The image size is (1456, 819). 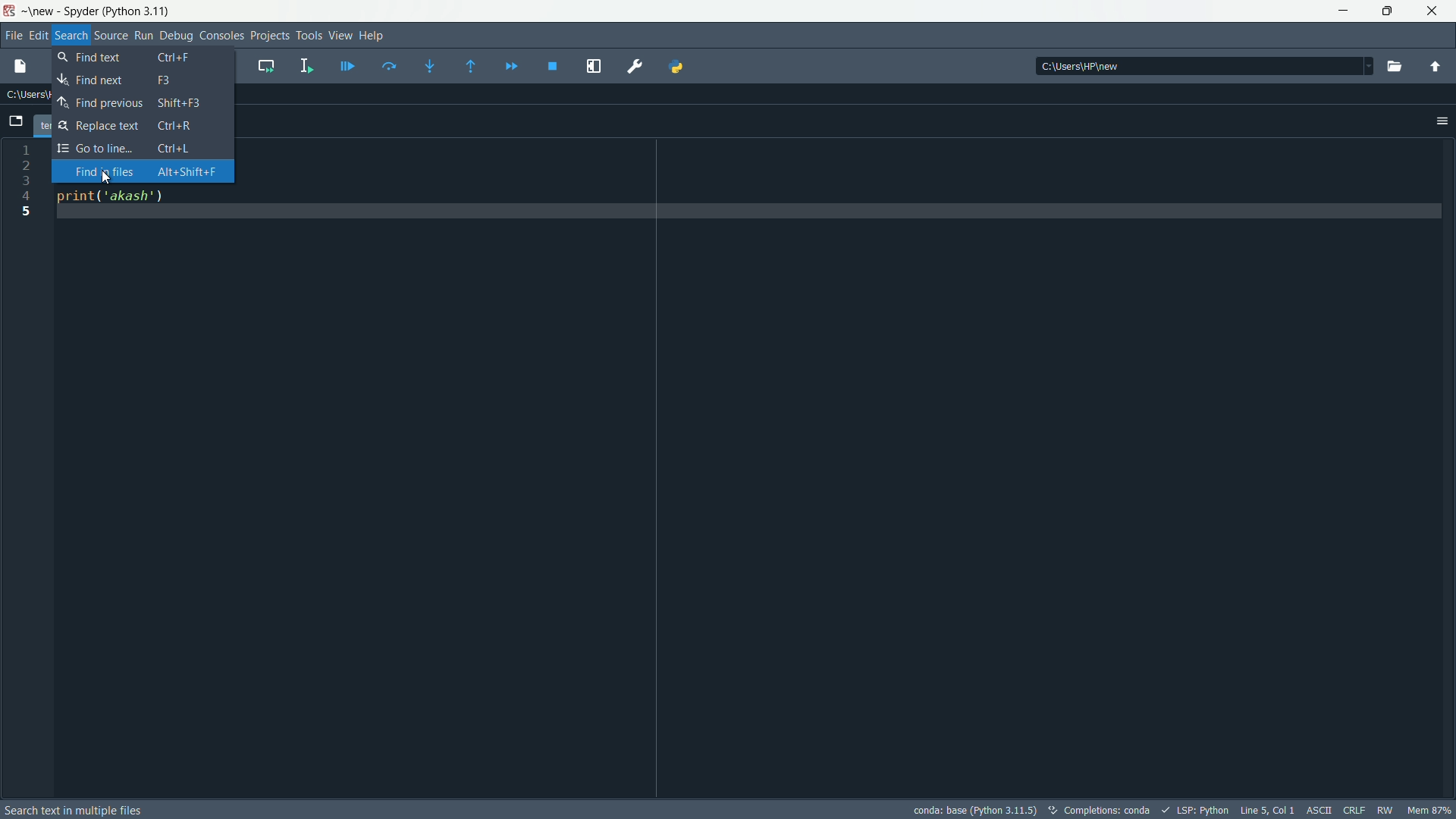 I want to click on run current line, so click(x=389, y=67).